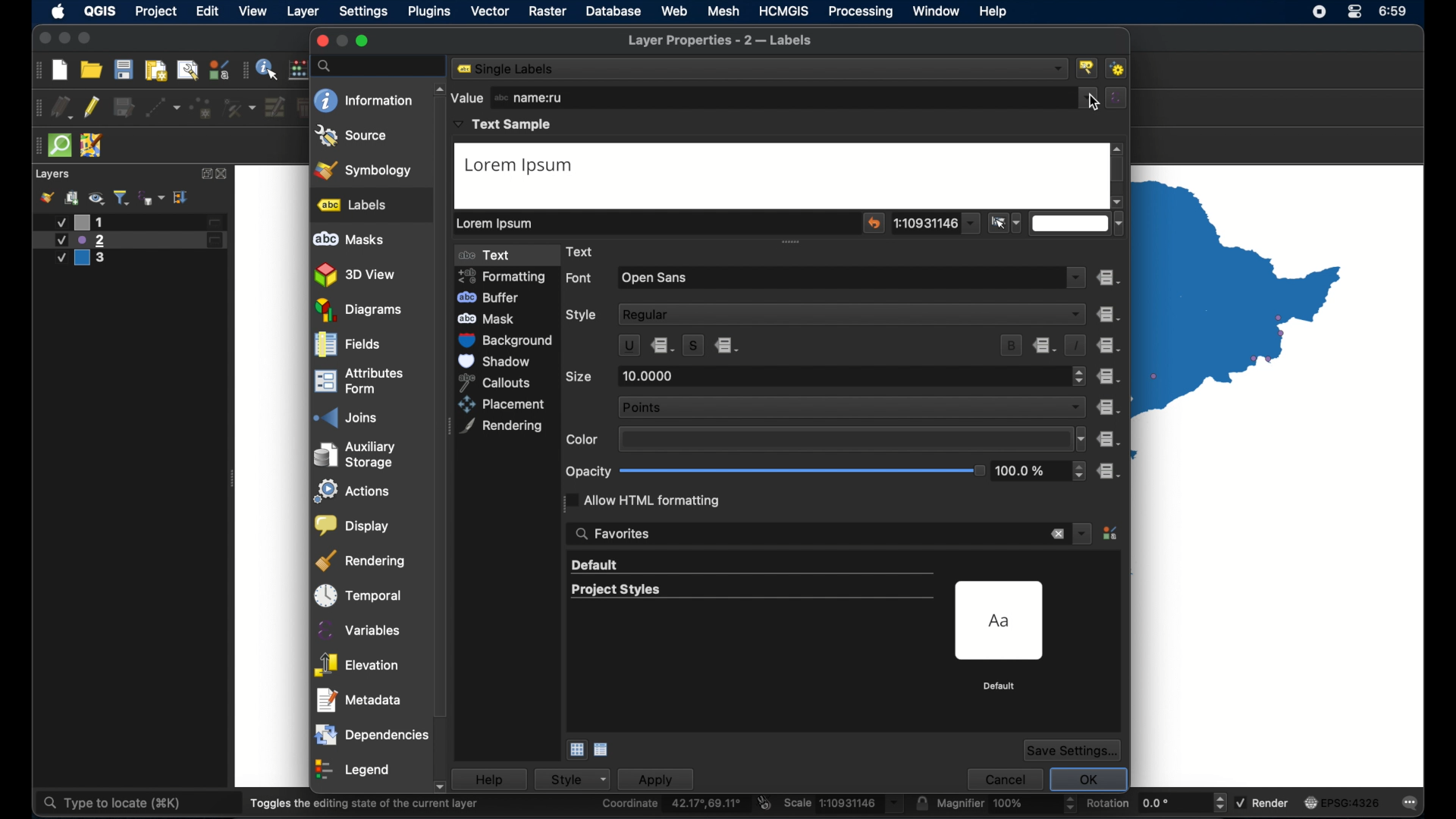  Describe the element at coordinates (363, 12) in the screenshot. I see `settings` at that location.